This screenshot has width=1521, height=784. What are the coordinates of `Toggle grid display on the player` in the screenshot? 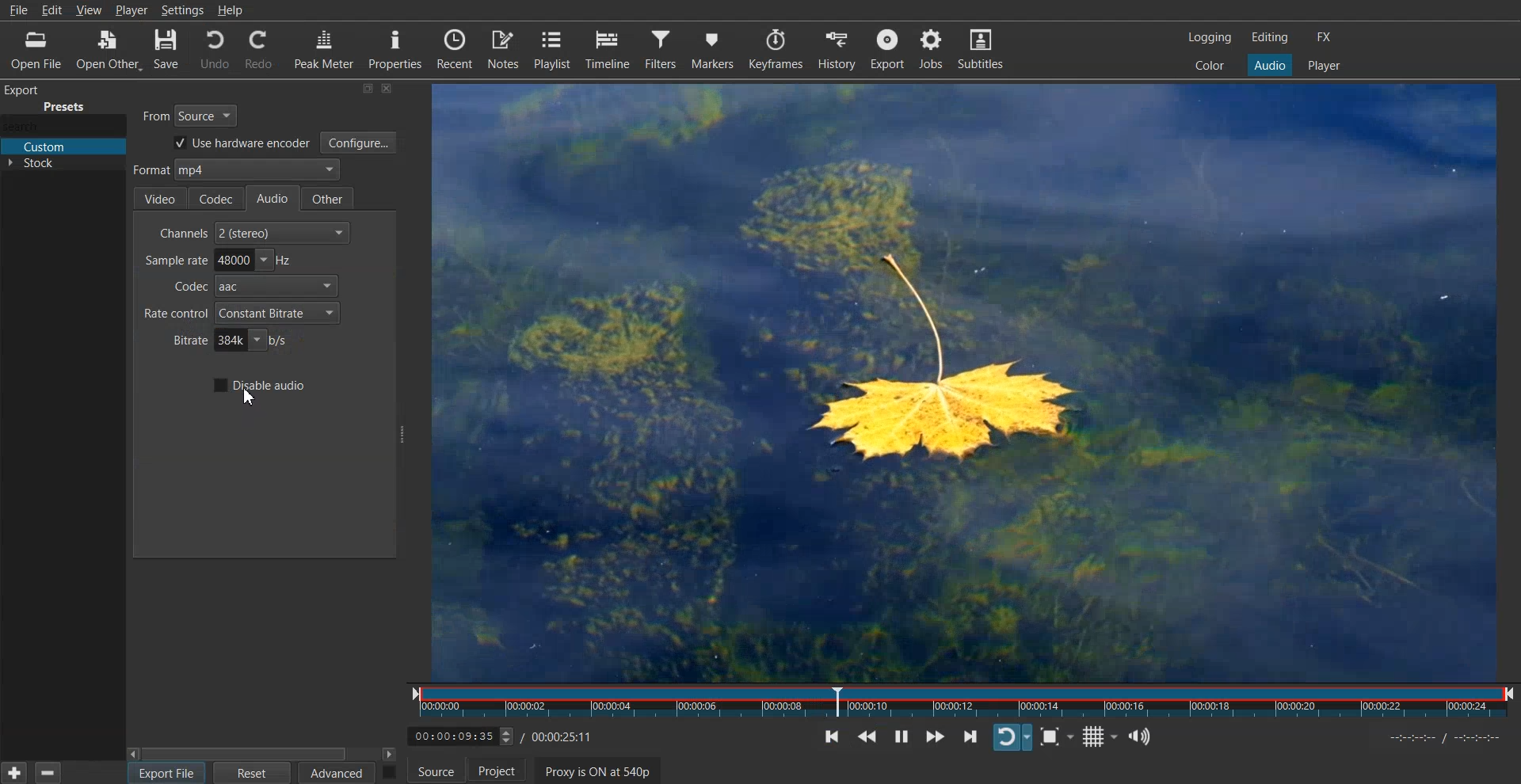 It's located at (1101, 736).